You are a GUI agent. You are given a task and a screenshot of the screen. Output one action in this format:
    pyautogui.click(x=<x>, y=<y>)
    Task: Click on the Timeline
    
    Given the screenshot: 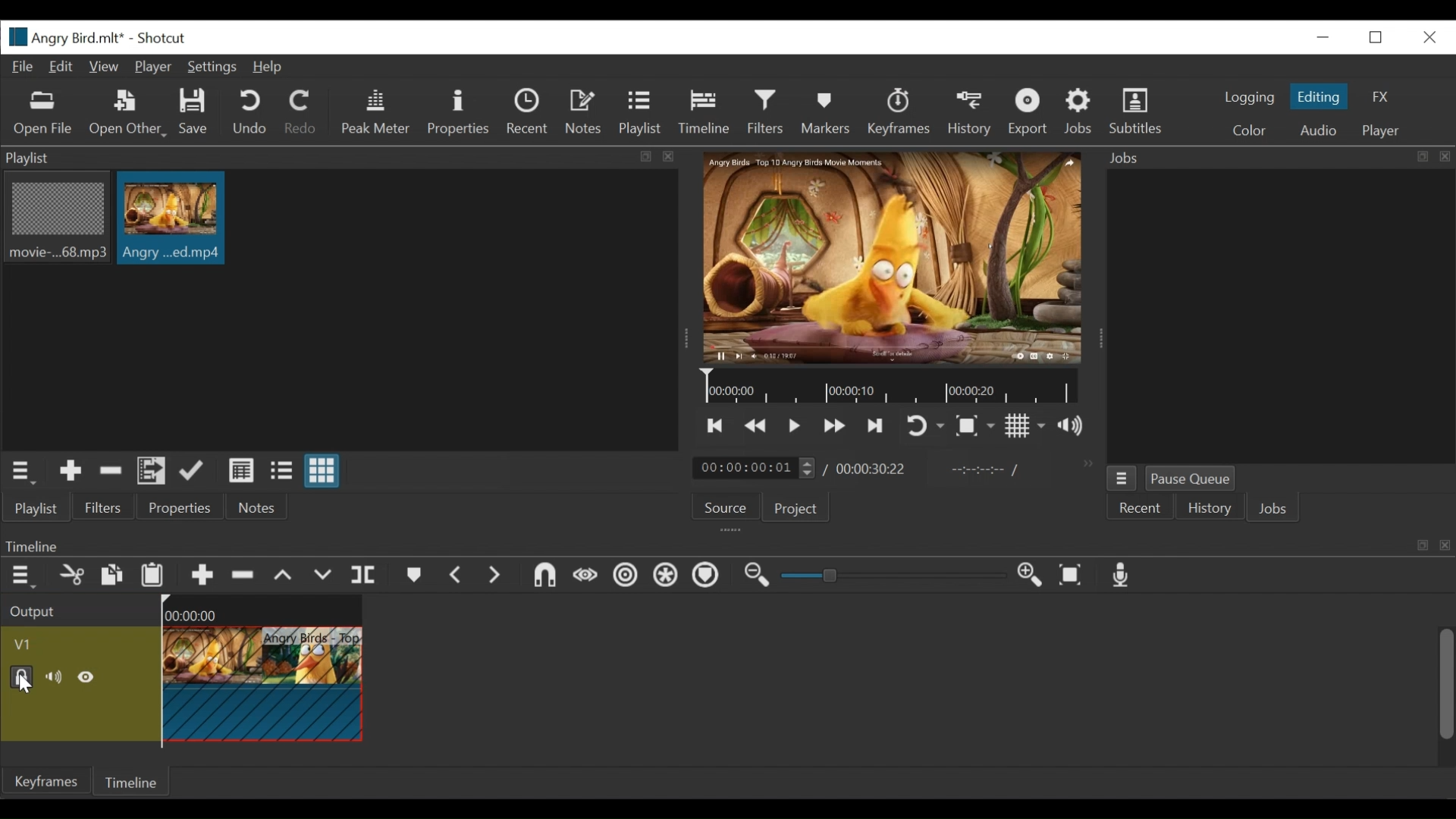 What is the action you would take?
    pyautogui.click(x=890, y=387)
    